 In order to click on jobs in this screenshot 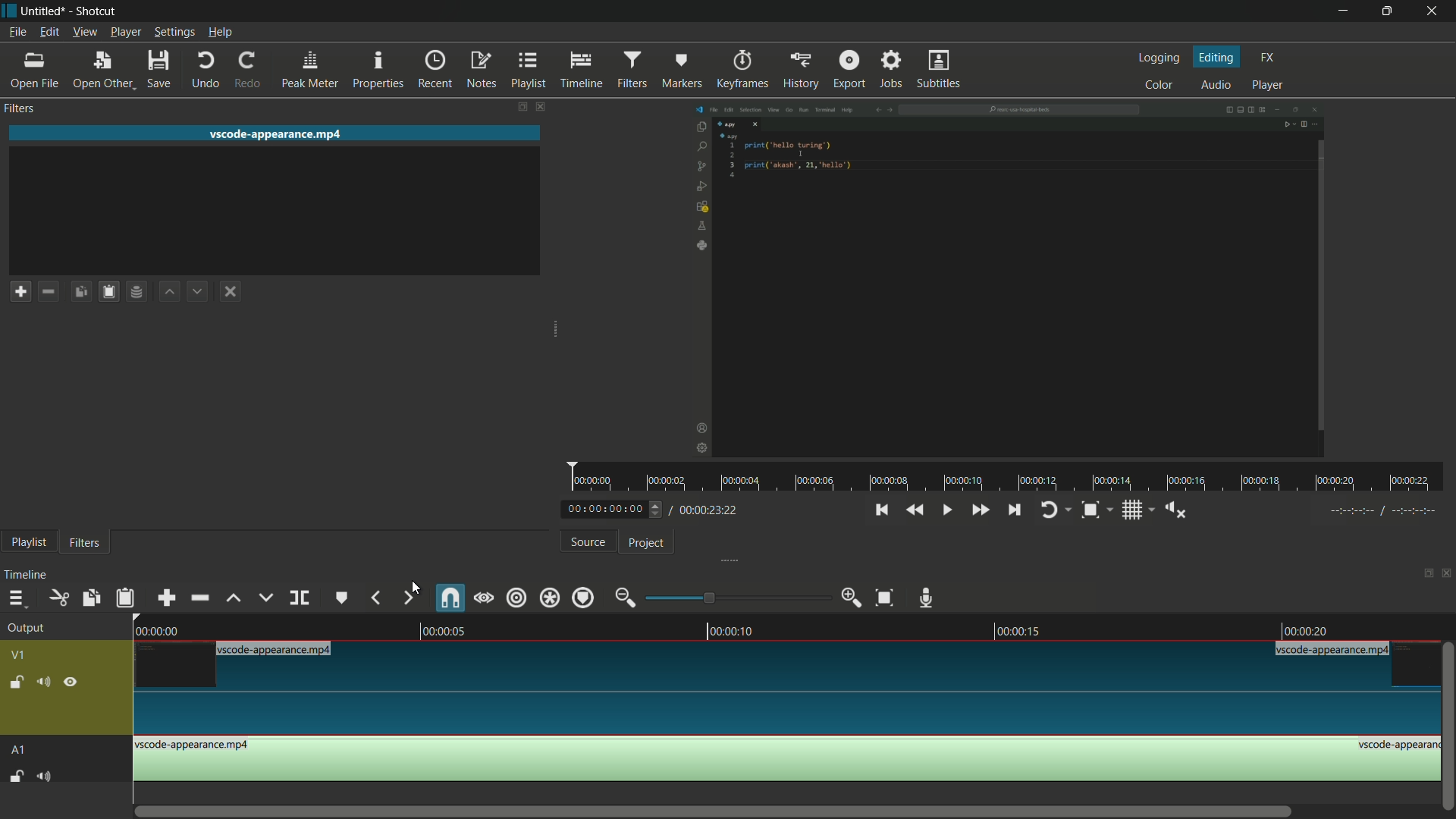, I will do `click(893, 71)`.